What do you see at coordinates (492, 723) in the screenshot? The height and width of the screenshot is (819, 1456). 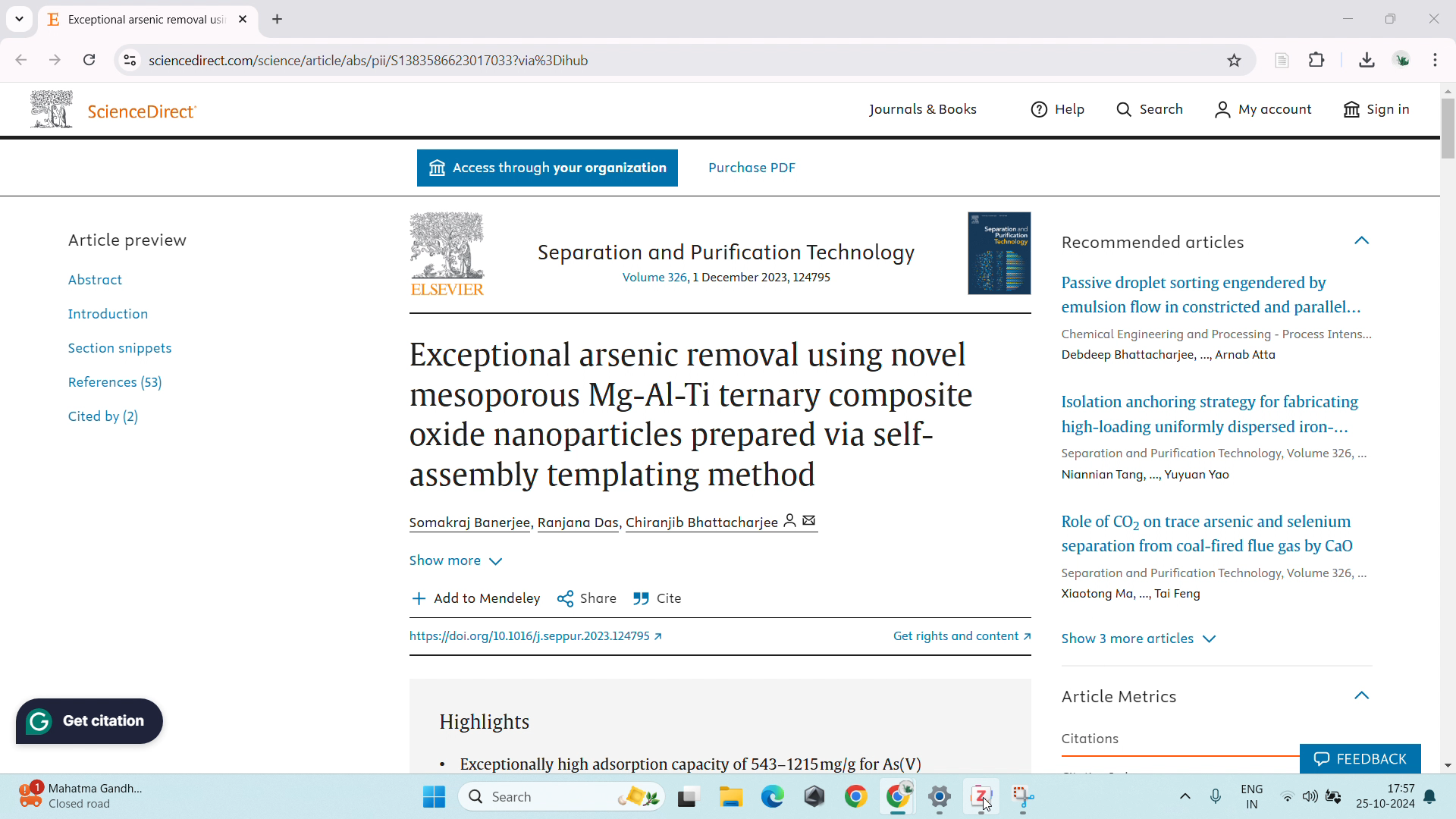 I see `Highlights` at bounding box center [492, 723].